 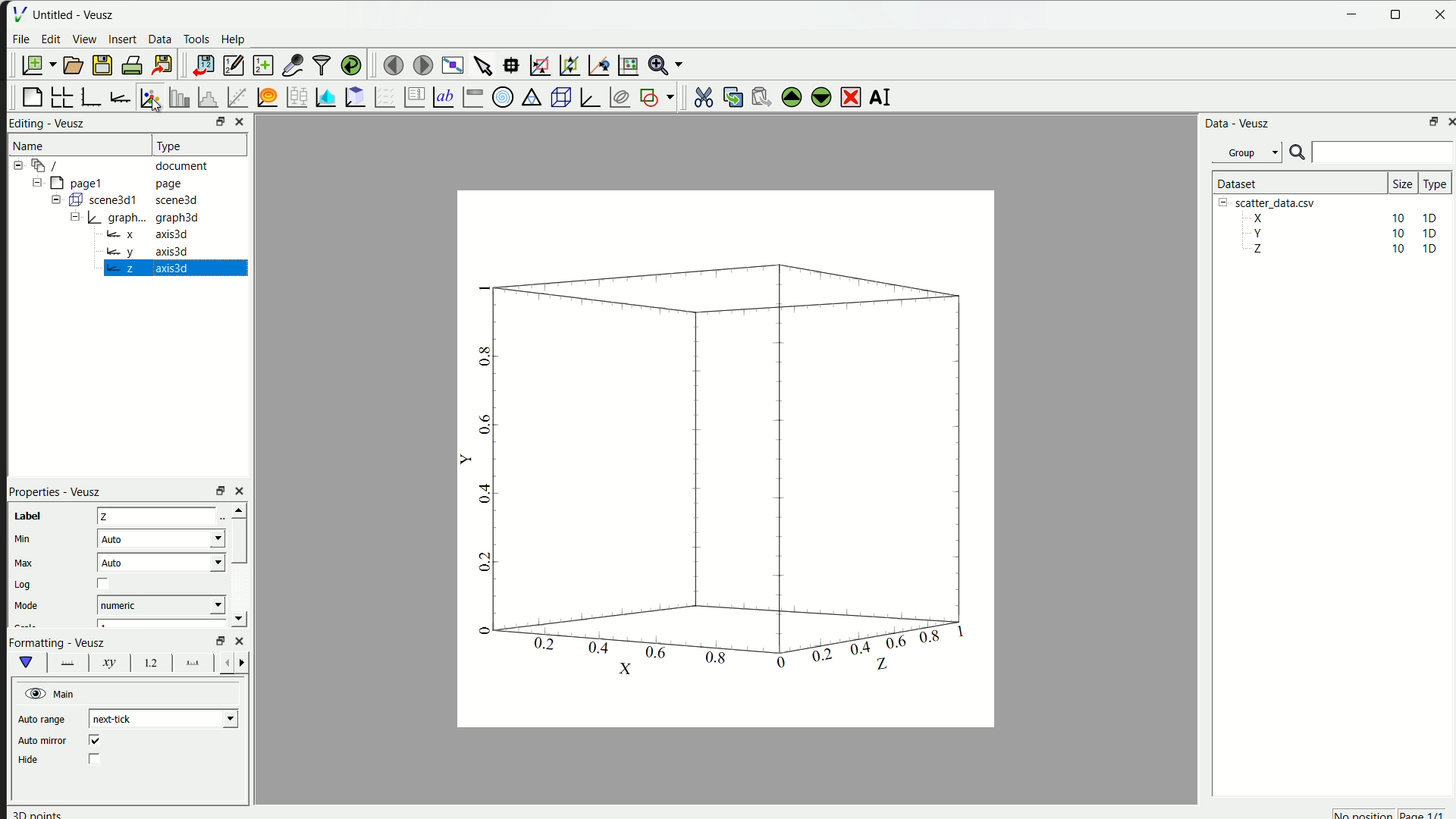 What do you see at coordinates (170, 515) in the screenshot?
I see `z` at bounding box center [170, 515].